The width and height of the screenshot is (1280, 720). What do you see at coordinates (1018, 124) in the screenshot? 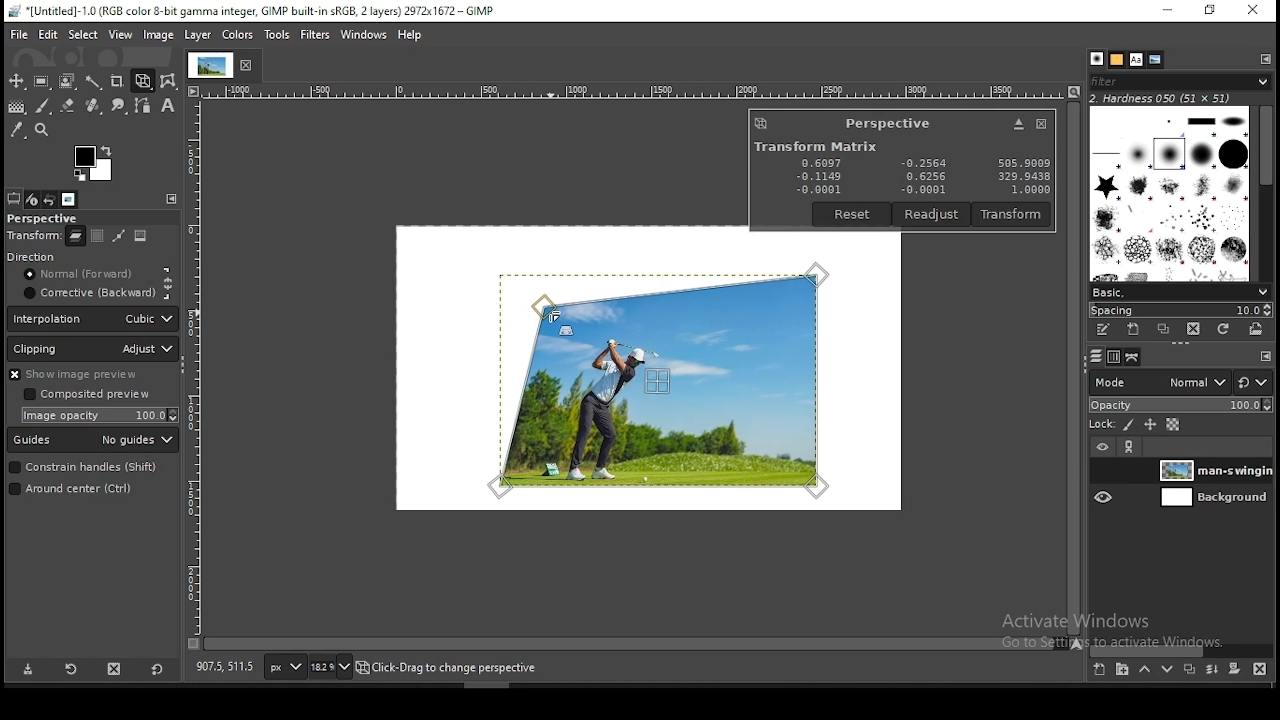
I see `` at bounding box center [1018, 124].